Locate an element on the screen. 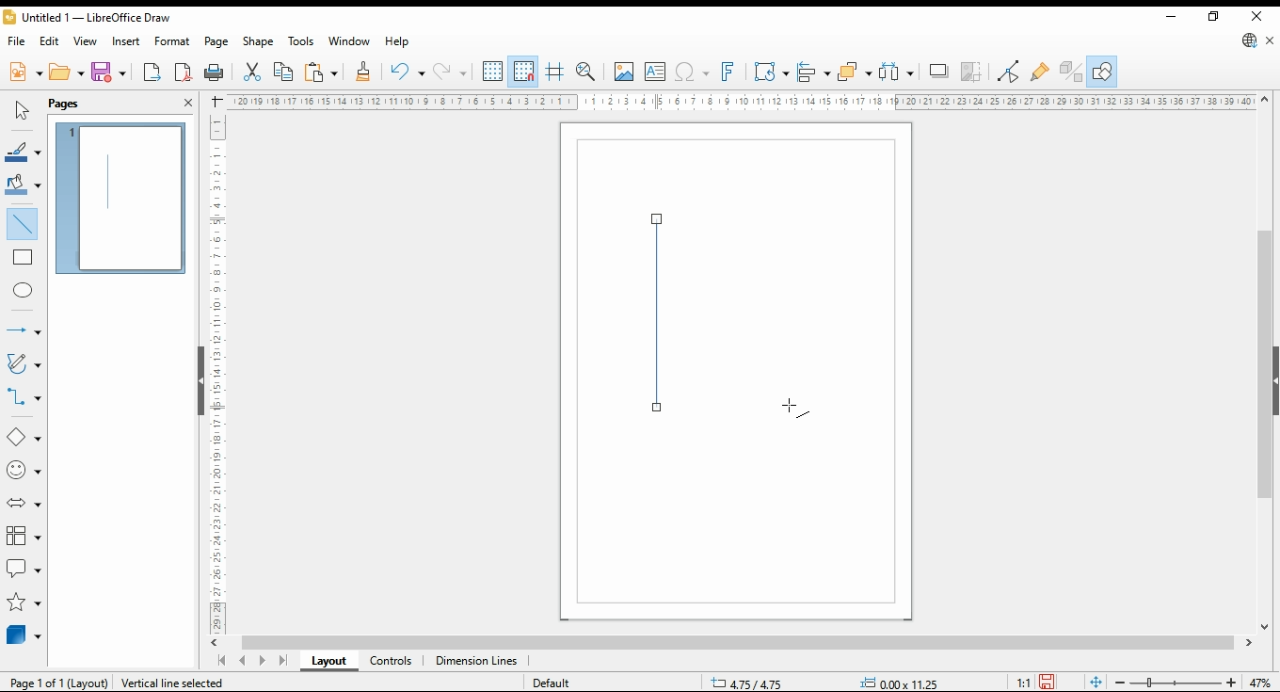 The width and height of the screenshot is (1280, 692). screen size is located at coordinates (752, 681).